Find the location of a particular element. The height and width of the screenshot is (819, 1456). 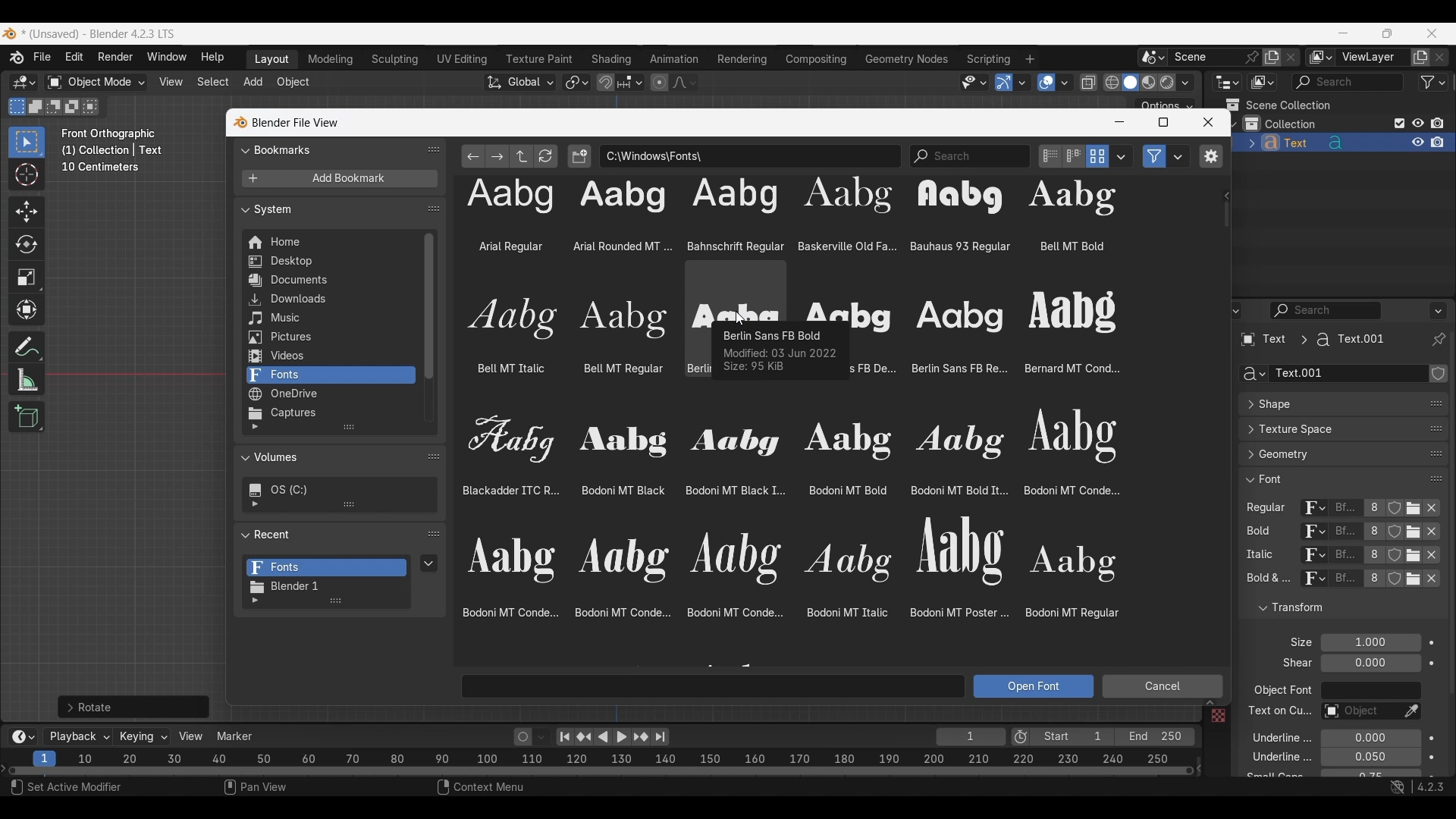

text is located at coordinates (1293, 664).